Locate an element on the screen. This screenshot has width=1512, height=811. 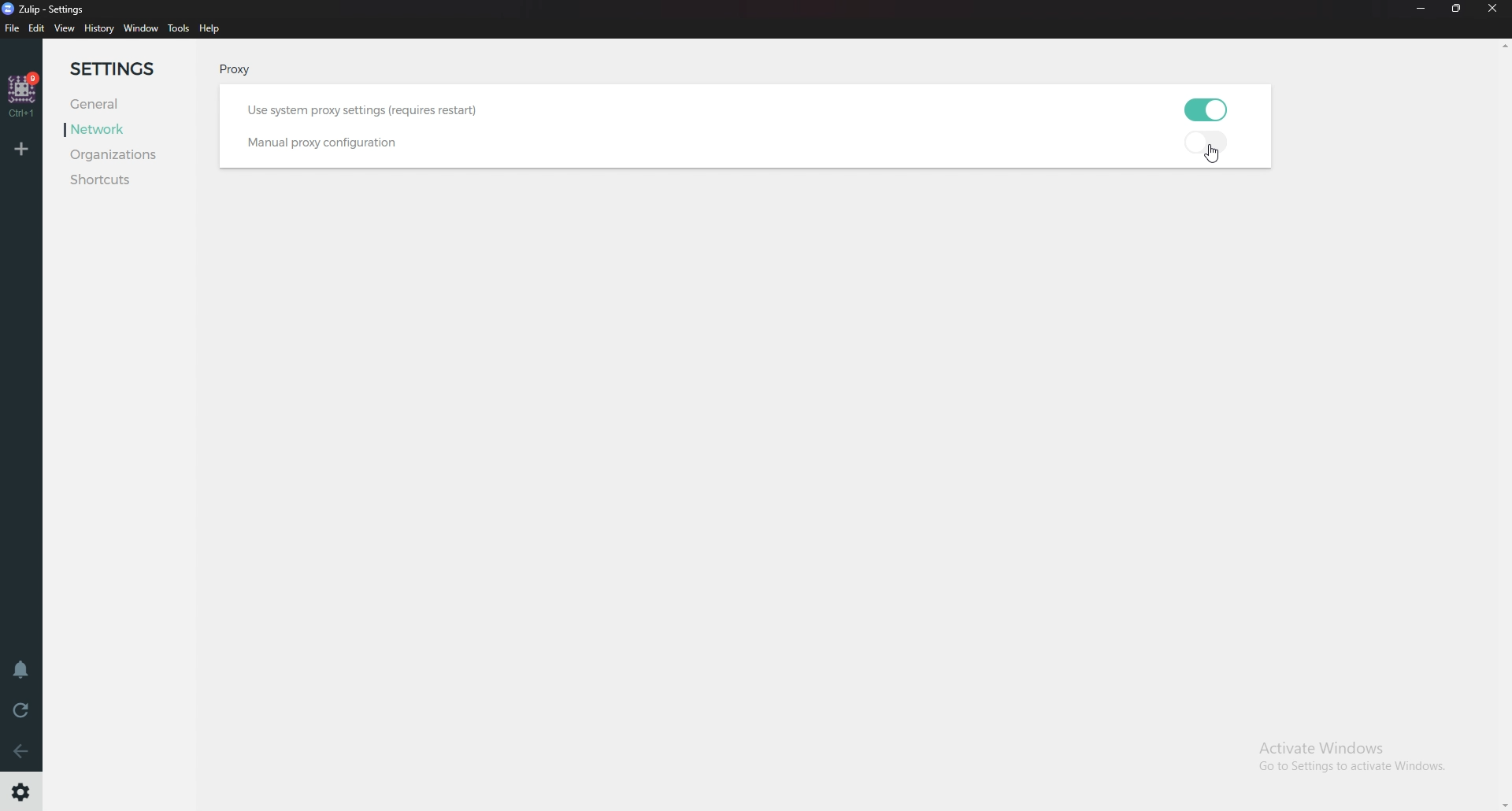
Minimize is located at coordinates (1421, 9).